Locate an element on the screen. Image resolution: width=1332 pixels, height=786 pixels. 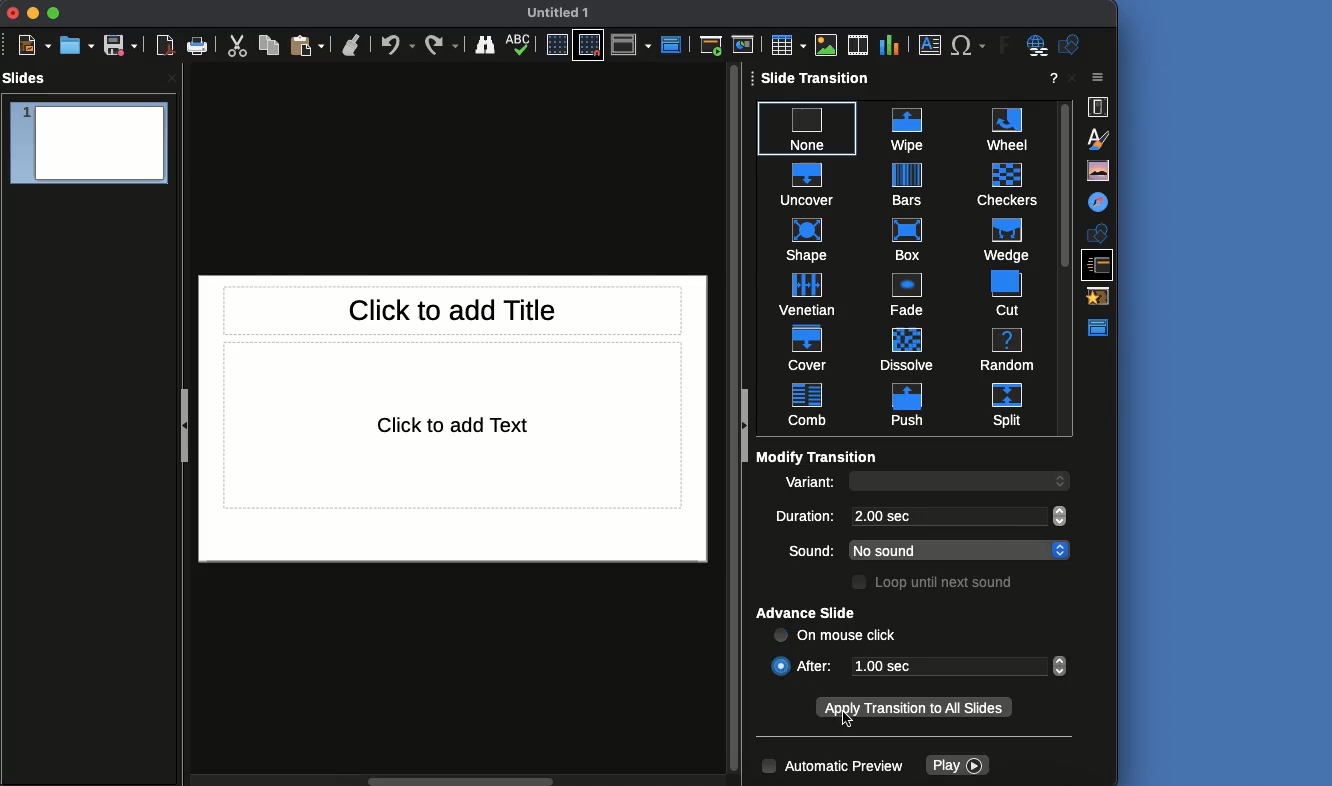
Save is located at coordinates (121, 44).